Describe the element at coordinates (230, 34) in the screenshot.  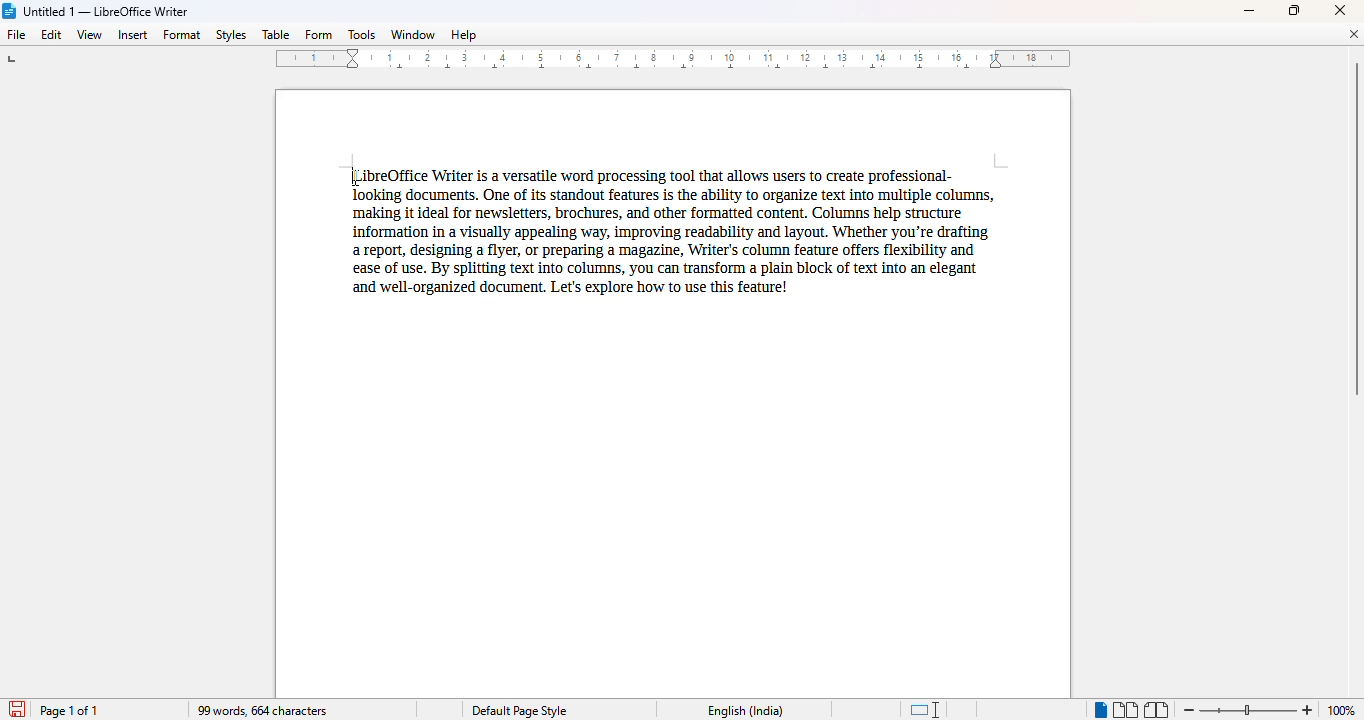
I see `styles` at that location.